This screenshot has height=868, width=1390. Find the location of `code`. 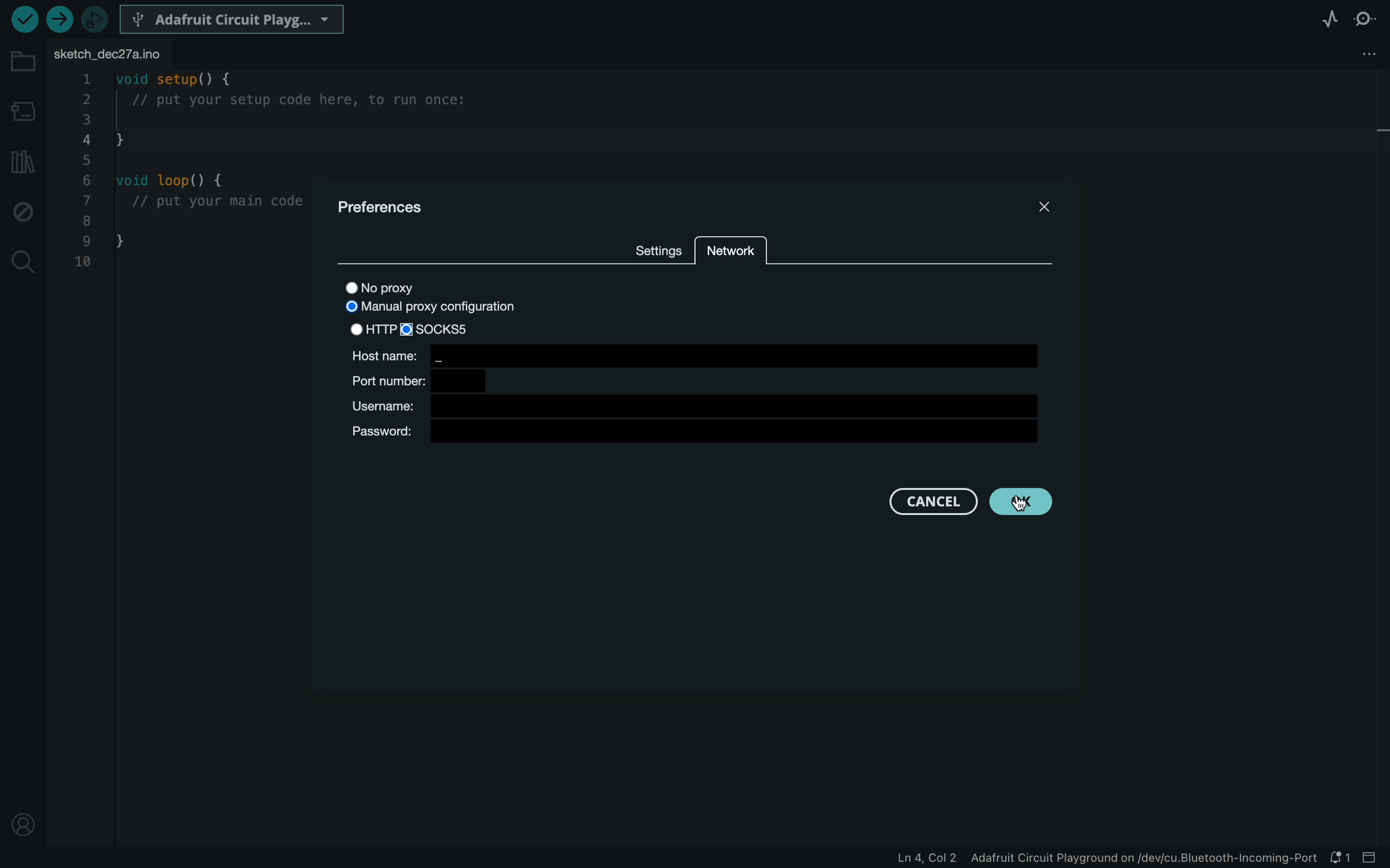

code is located at coordinates (181, 176).